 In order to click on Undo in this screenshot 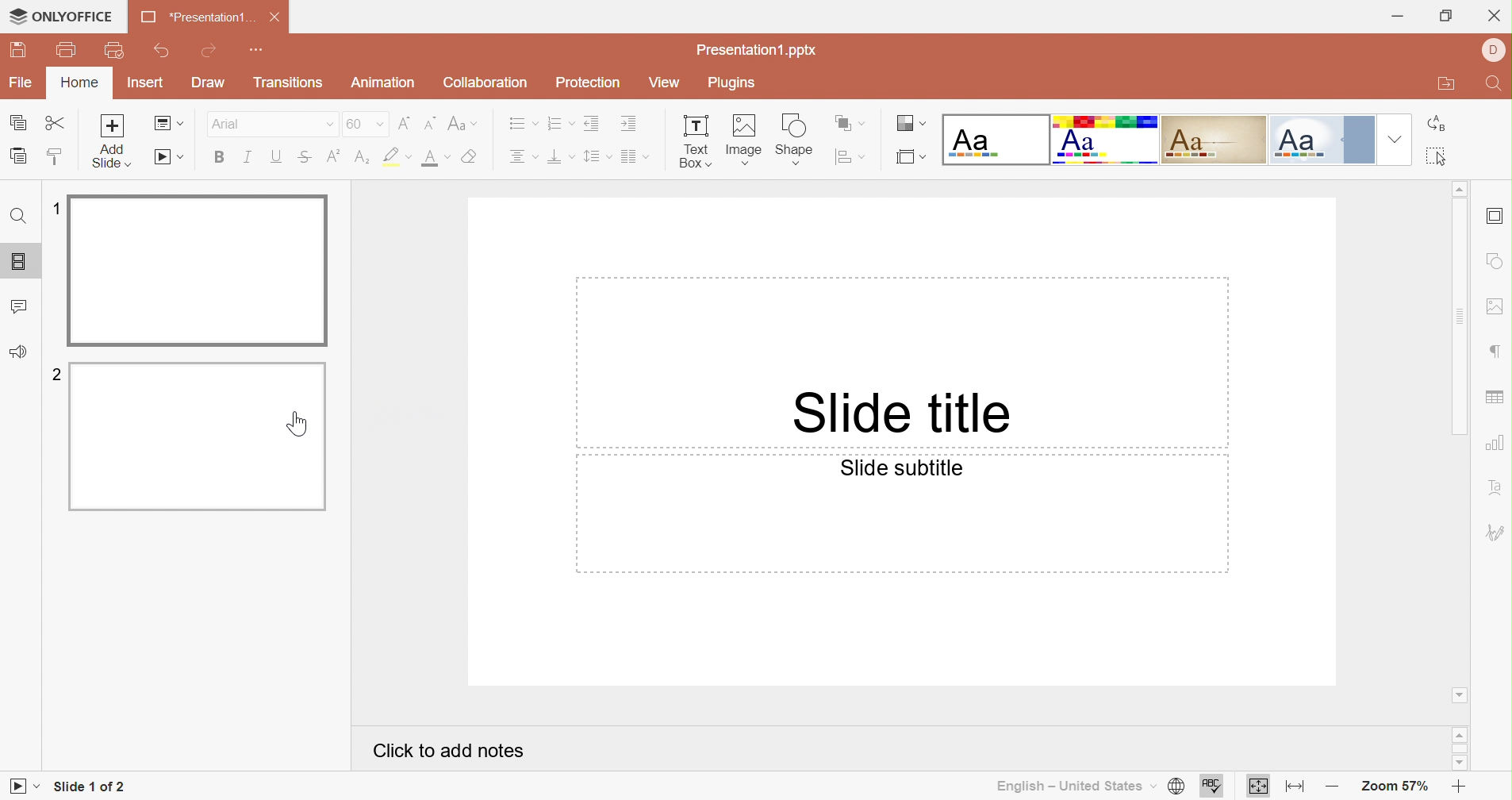, I will do `click(165, 54)`.